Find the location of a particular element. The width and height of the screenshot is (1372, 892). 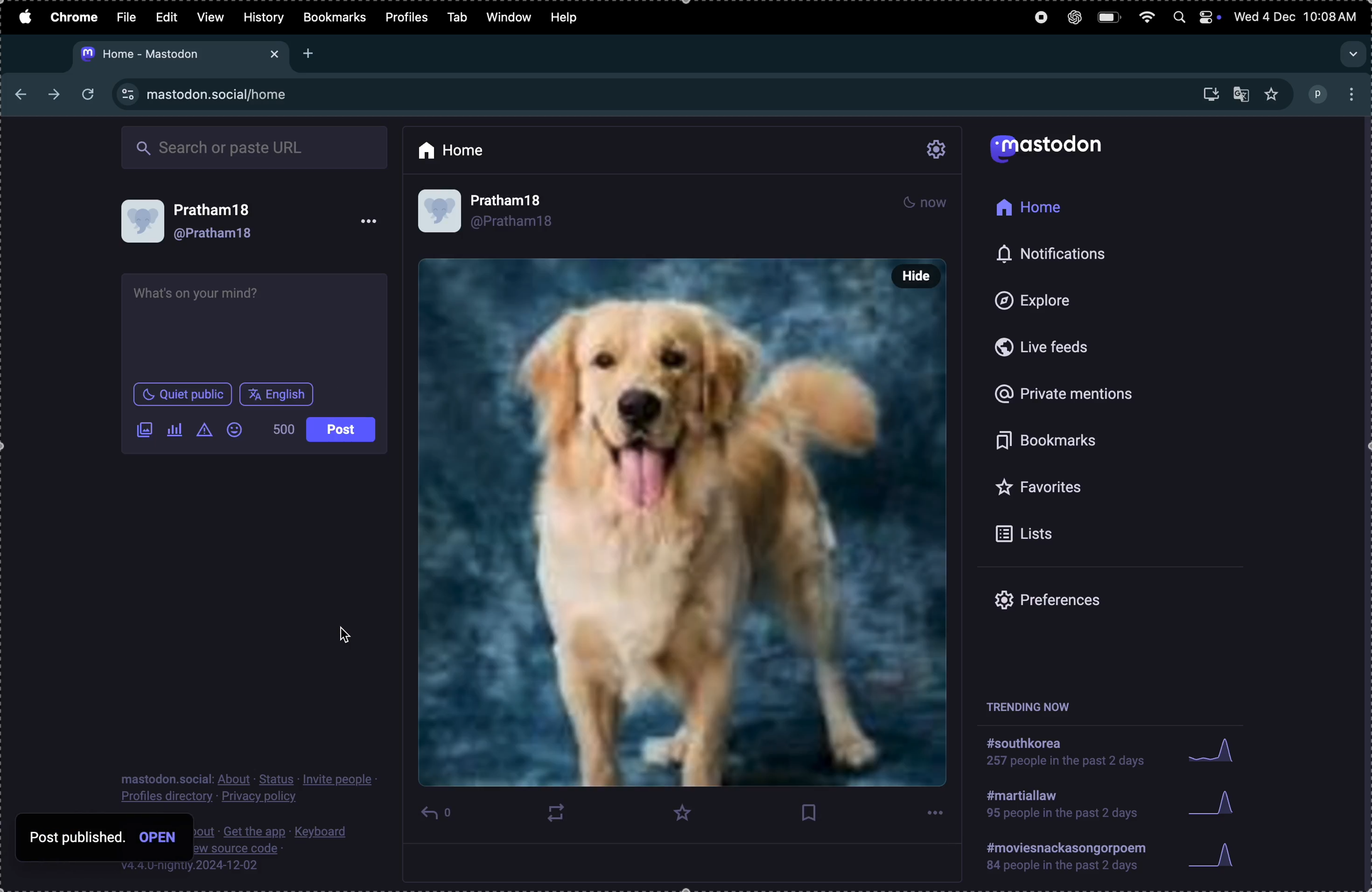

500 words is located at coordinates (283, 433).